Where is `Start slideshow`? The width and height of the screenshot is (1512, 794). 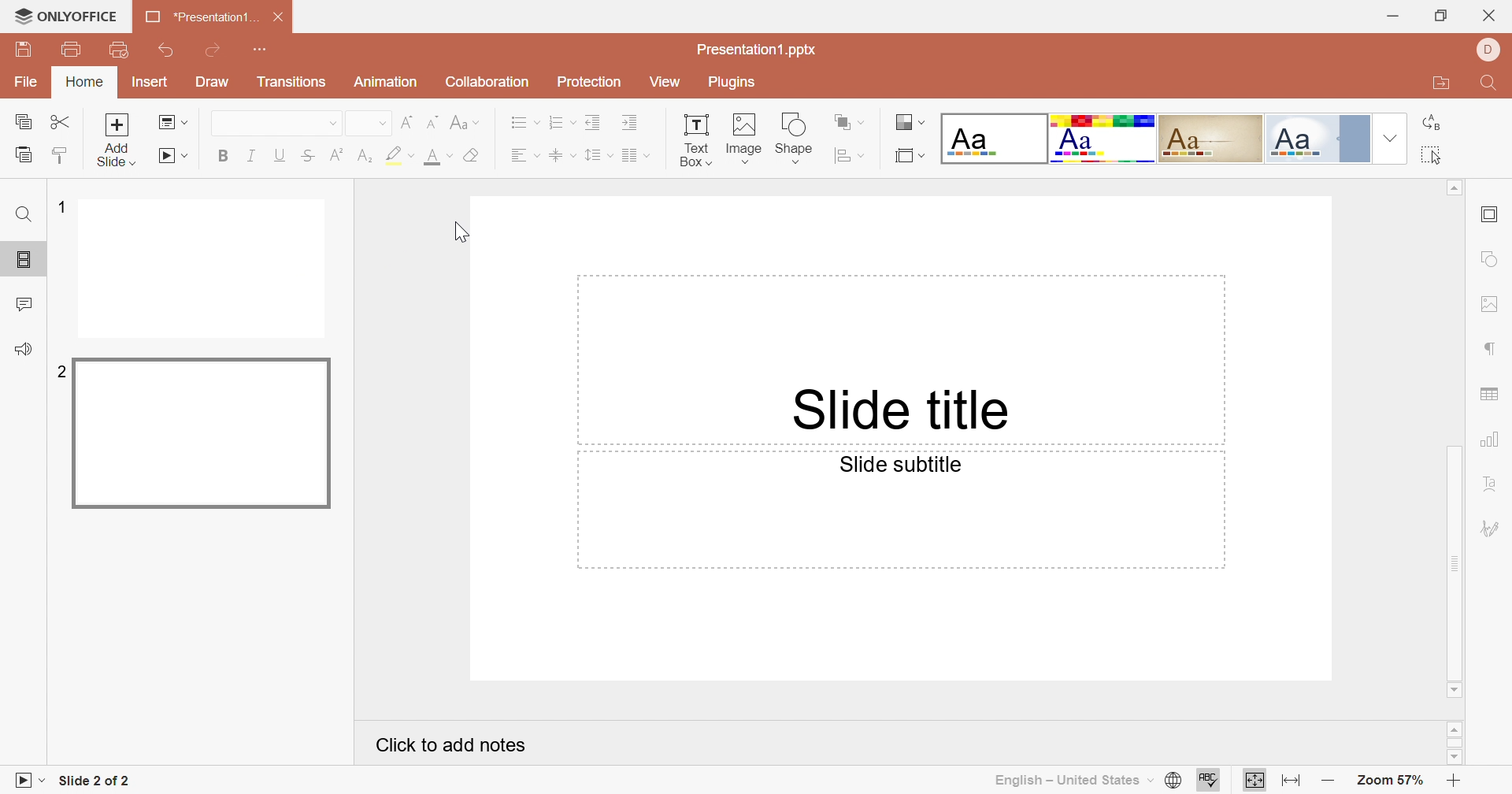
Start slideshow is located at coordinates (172, 155).